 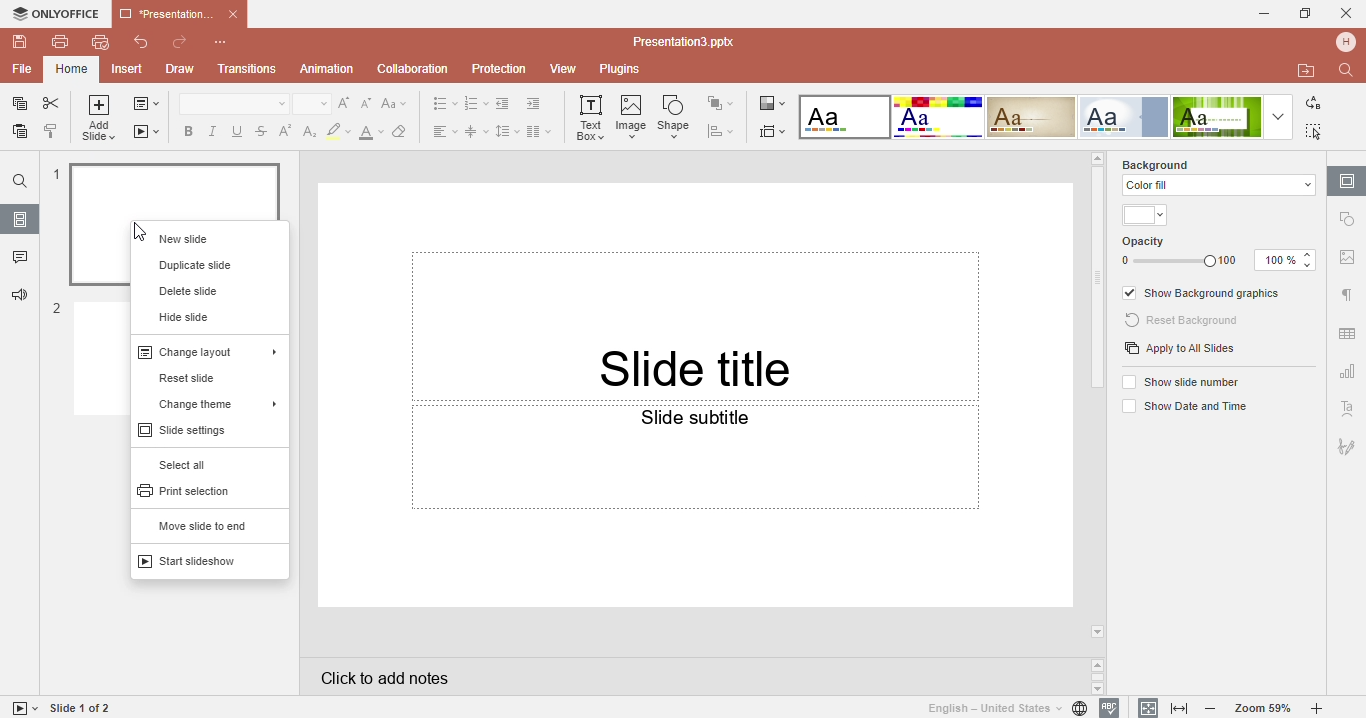 I want to click on Arrange shape, so click(x=724, y=103).